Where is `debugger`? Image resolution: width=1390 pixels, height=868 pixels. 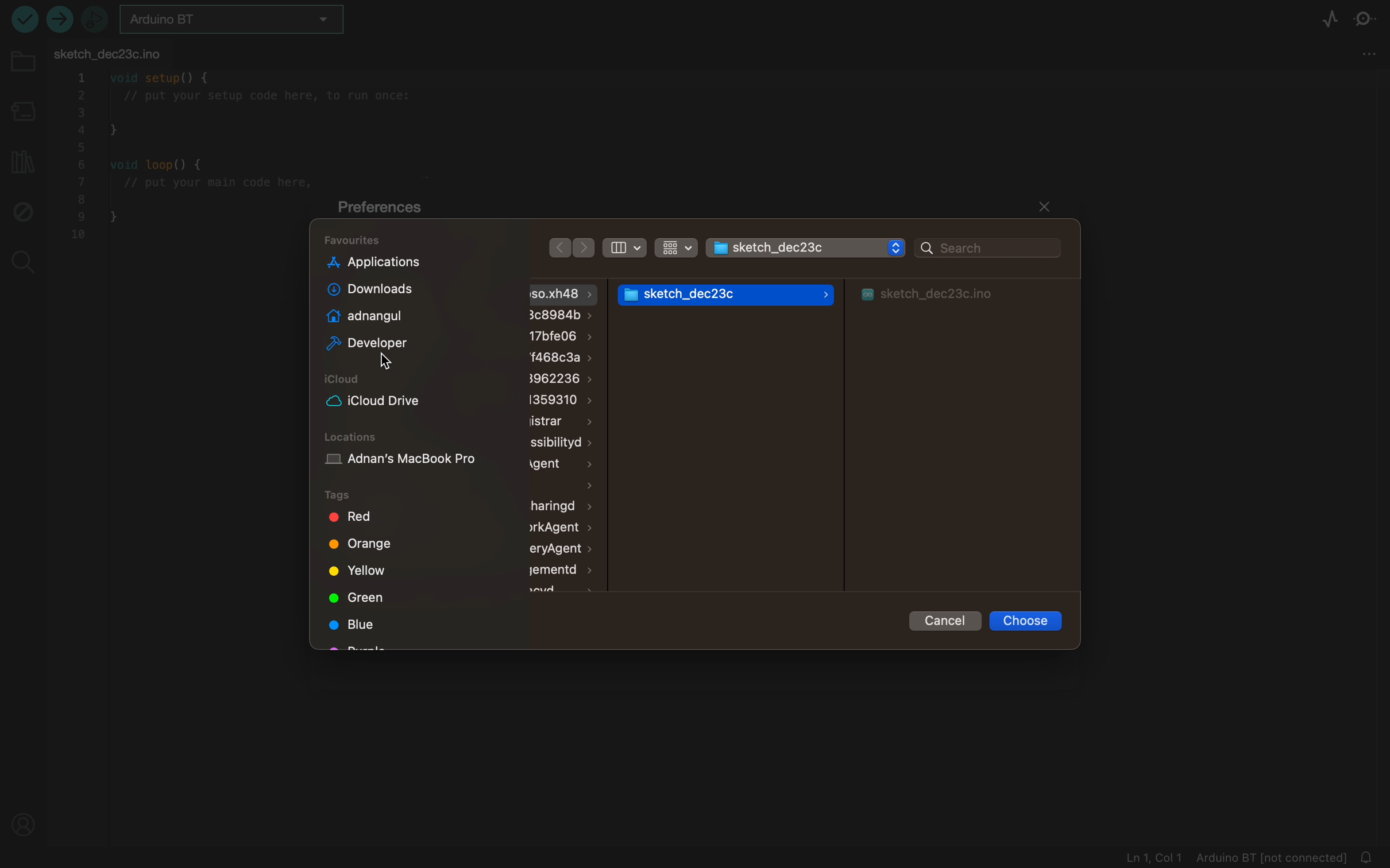 debugger is located at coordinates (24, 211).